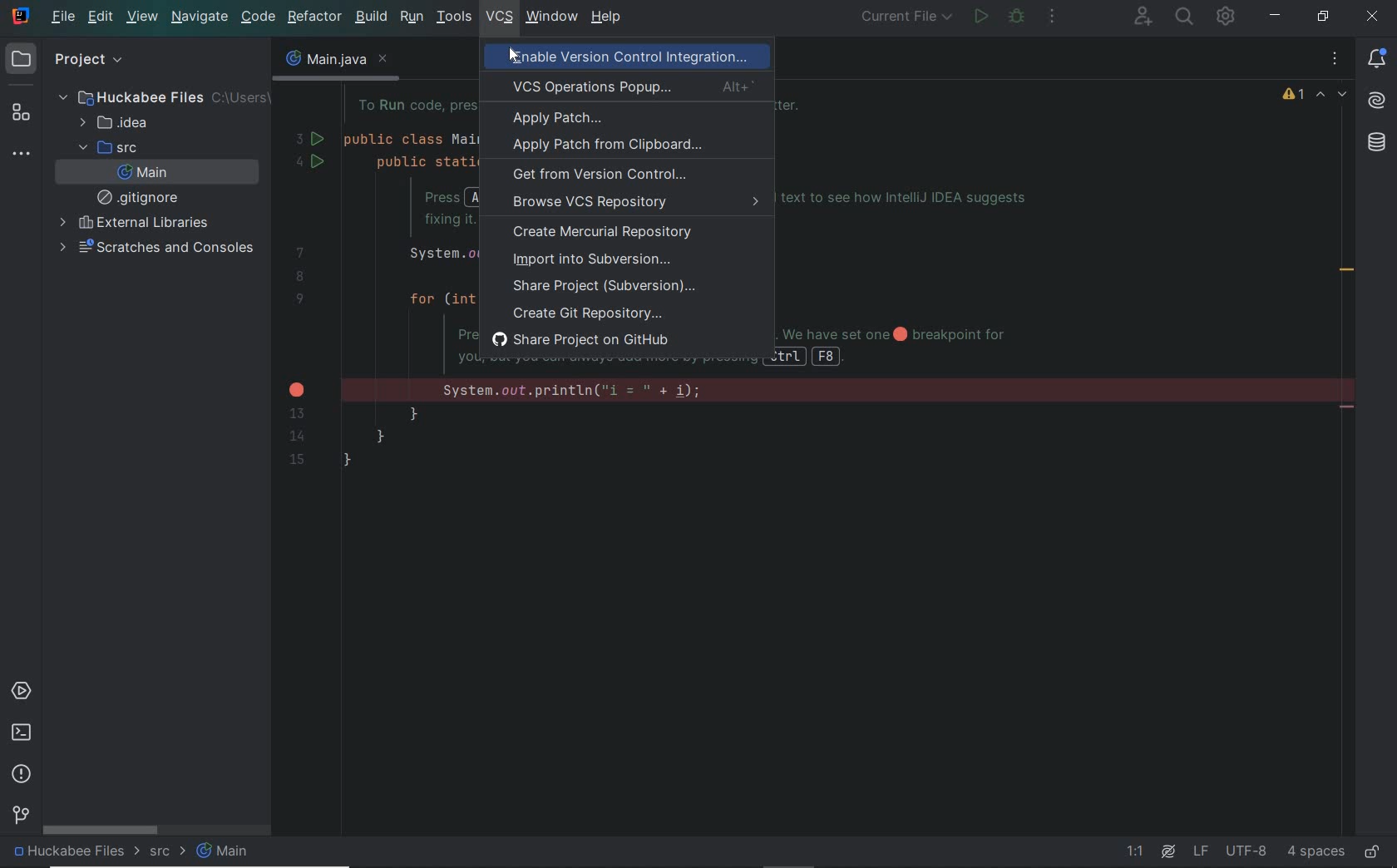 The image size is (1397, 868). I want to click on refactor, so click(315, 18).